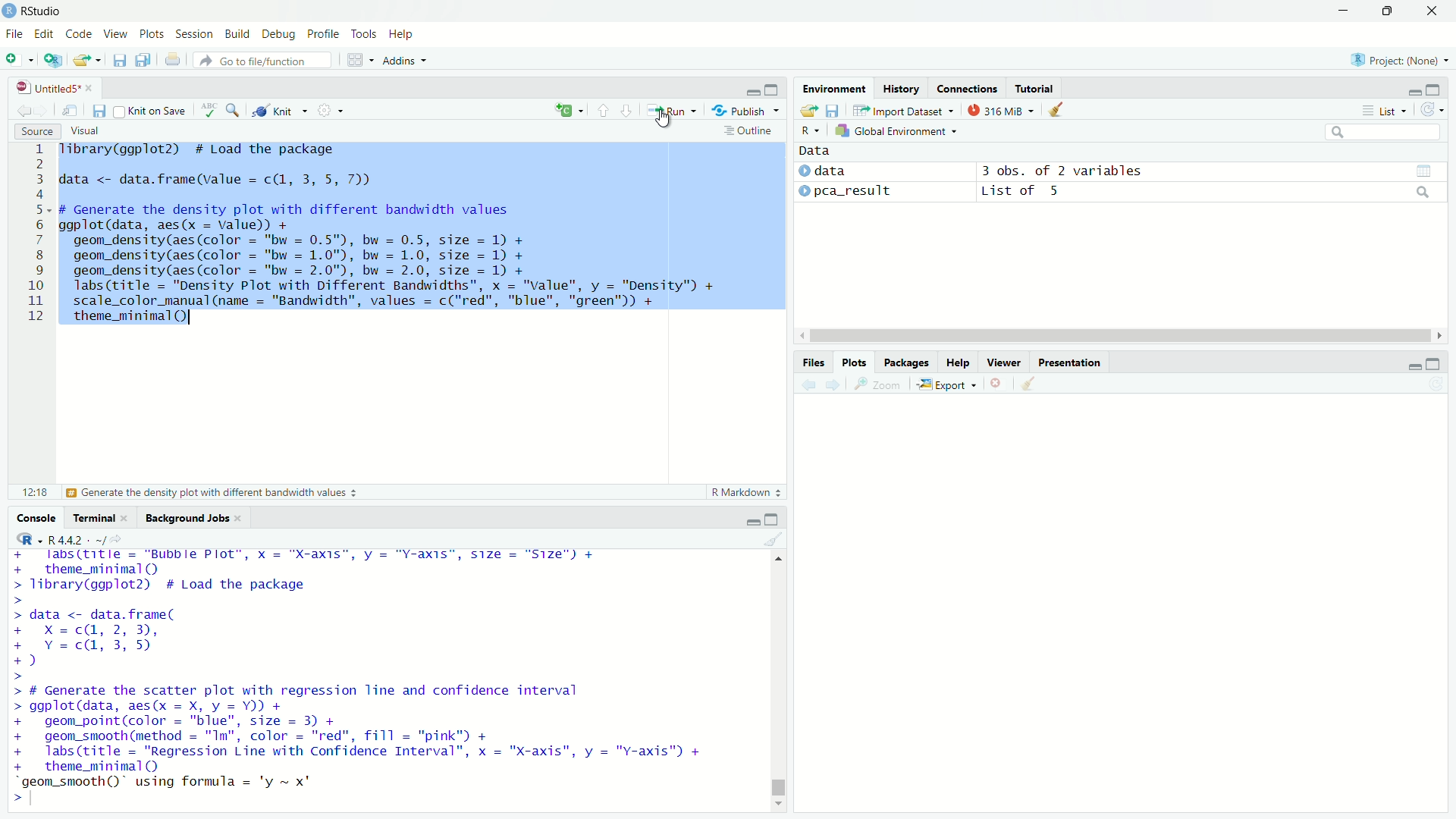 Image resolution: width=1456 pixels, height=819 pixels. What do you see at coordinates (901, 87) in the screenshot?
I see `History` at bounding box center [901, 87].